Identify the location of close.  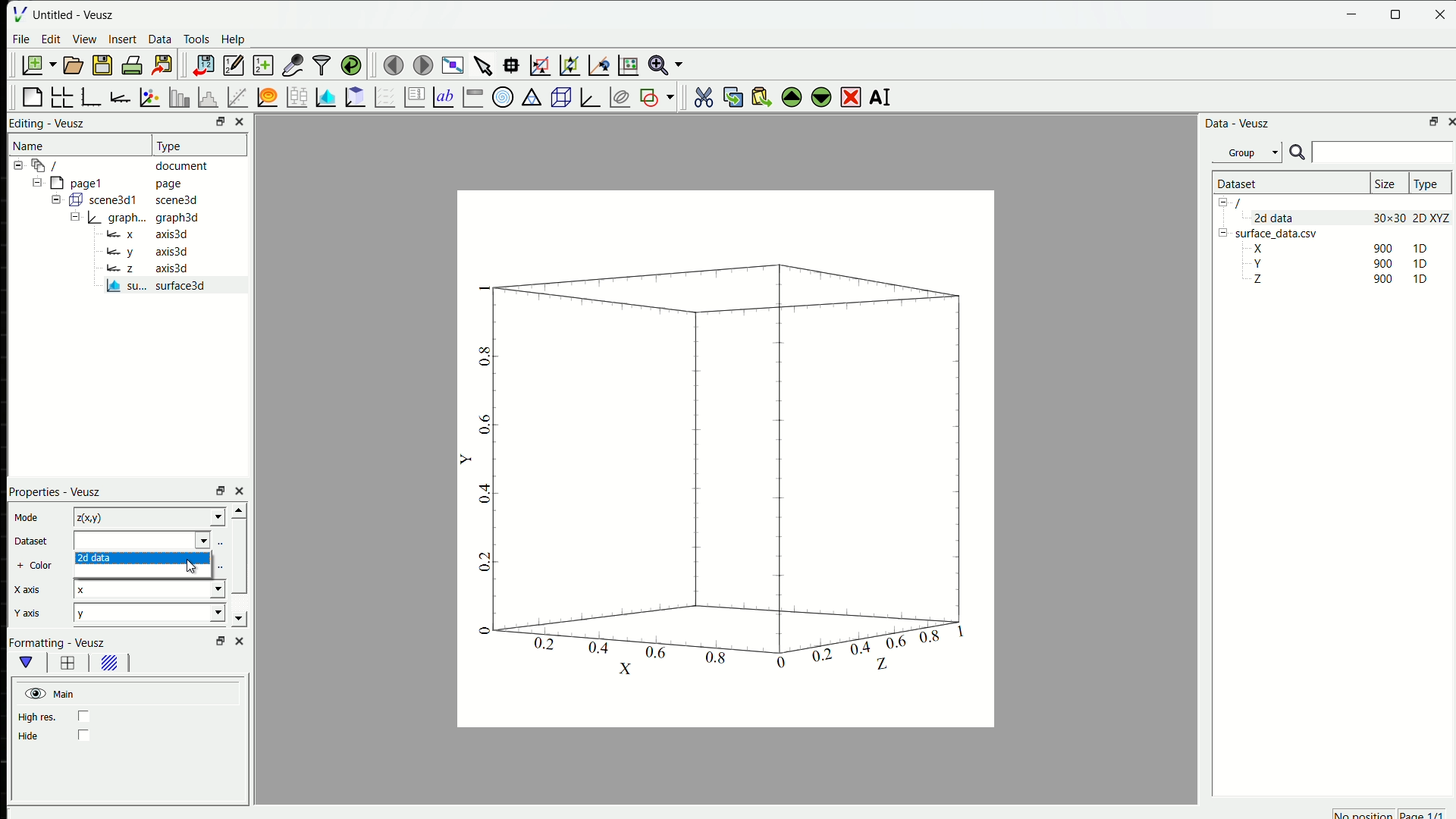
(240, 121).